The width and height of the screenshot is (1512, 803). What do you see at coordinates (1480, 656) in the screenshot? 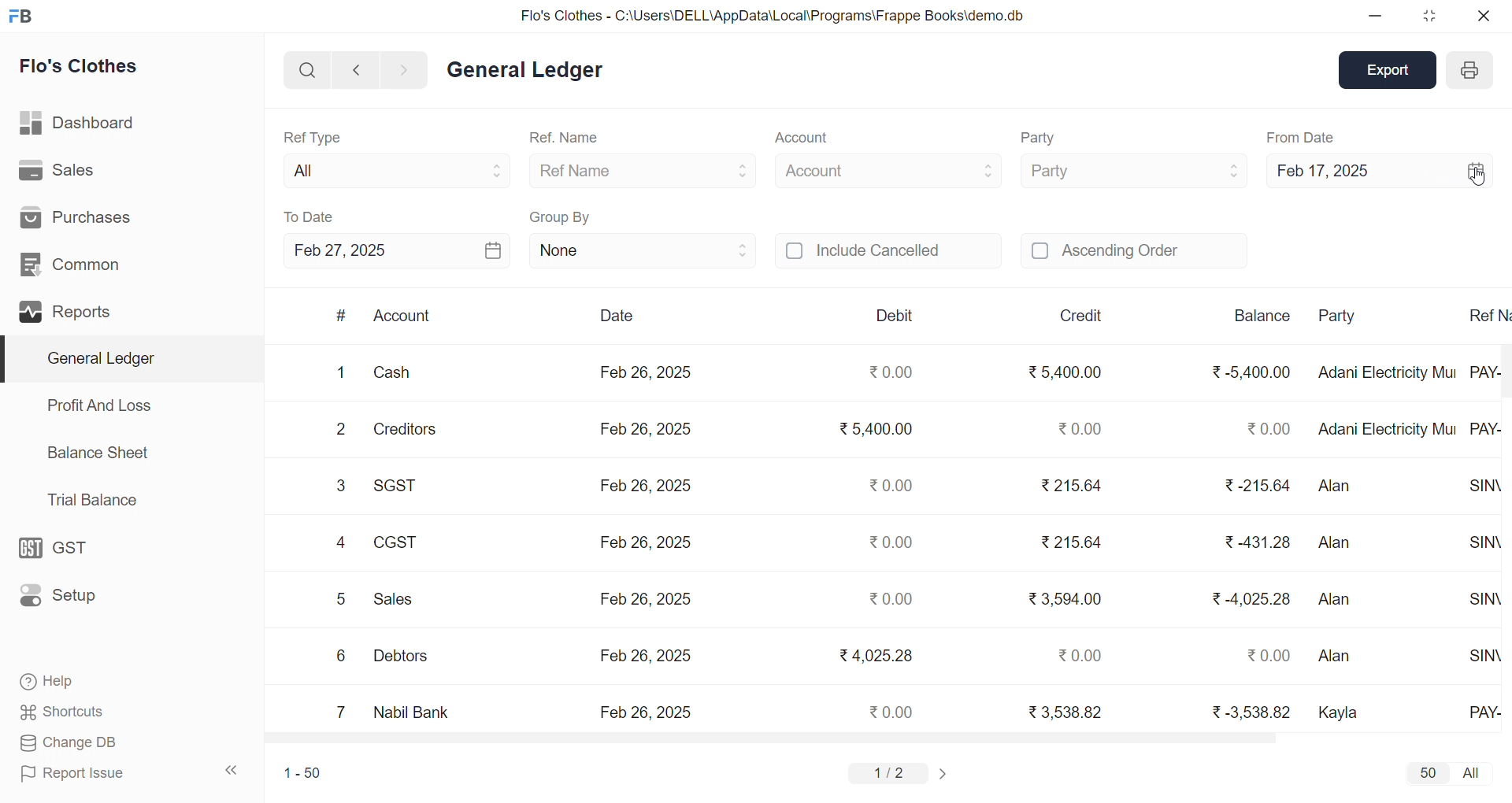
I see `SINV-` at bounding box center [1480, 656].